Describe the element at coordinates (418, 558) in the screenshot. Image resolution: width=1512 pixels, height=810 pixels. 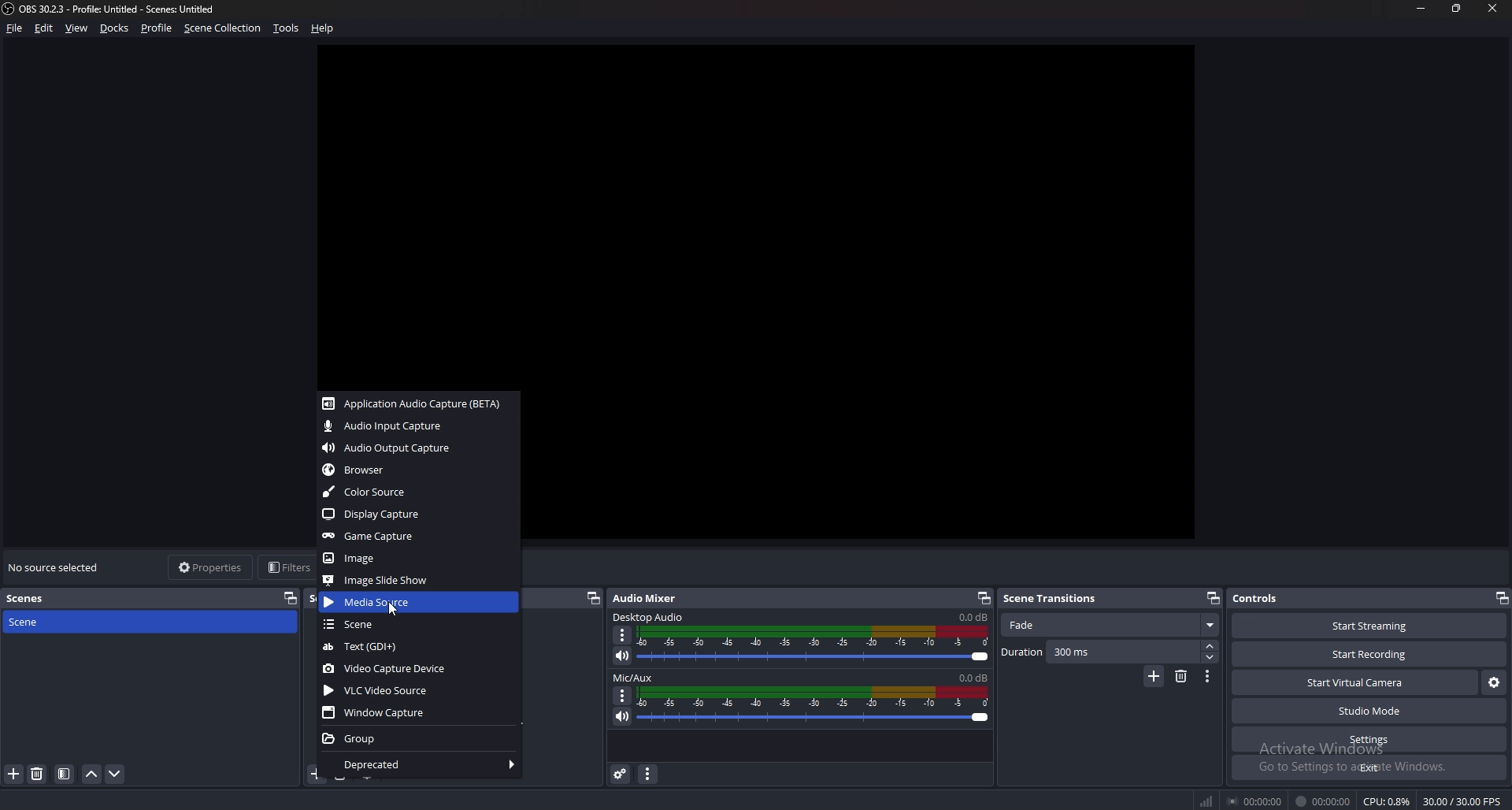
I see `Image` at that location.